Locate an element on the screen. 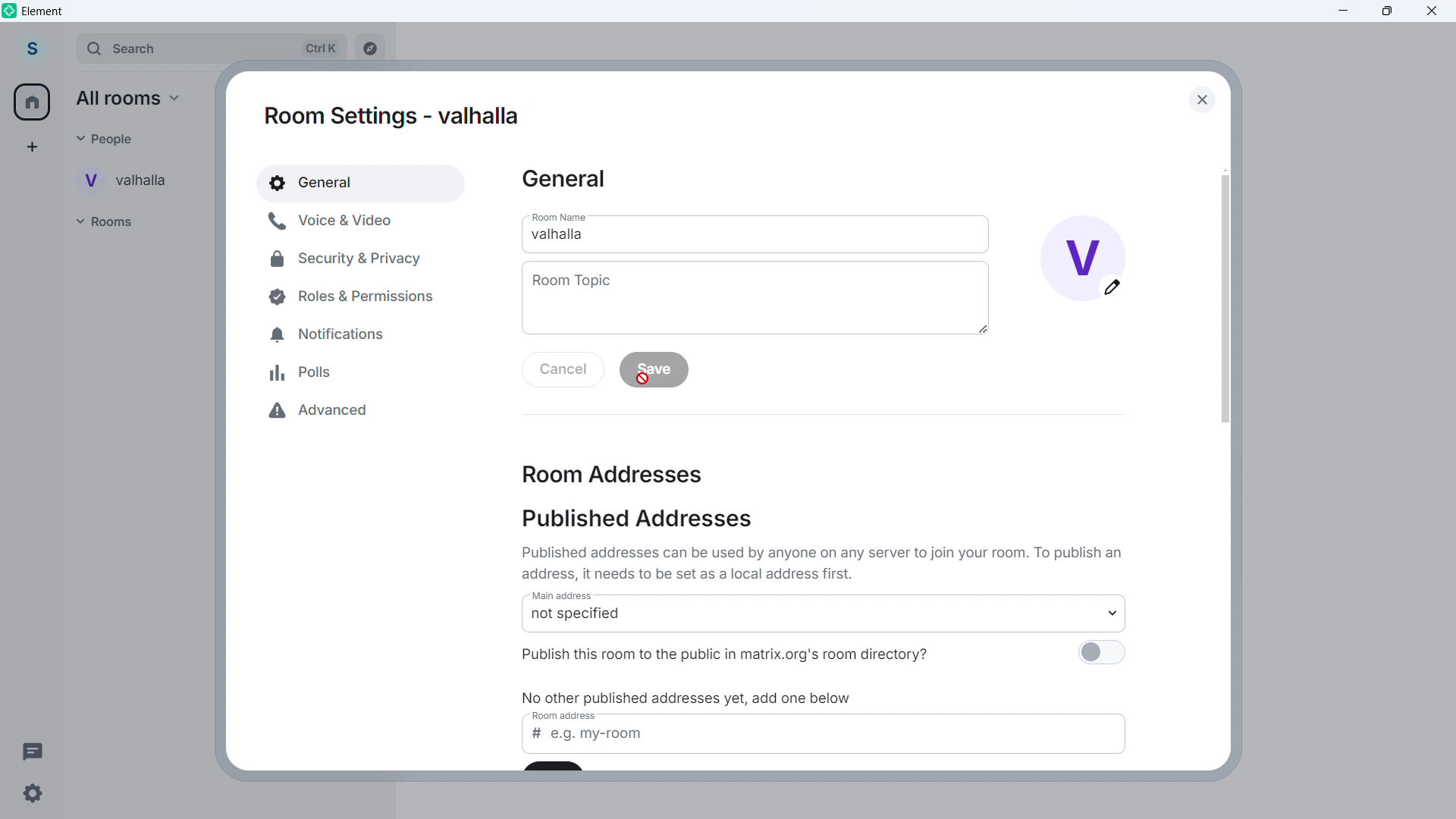  Close  is located at coordinates (1432, 12).